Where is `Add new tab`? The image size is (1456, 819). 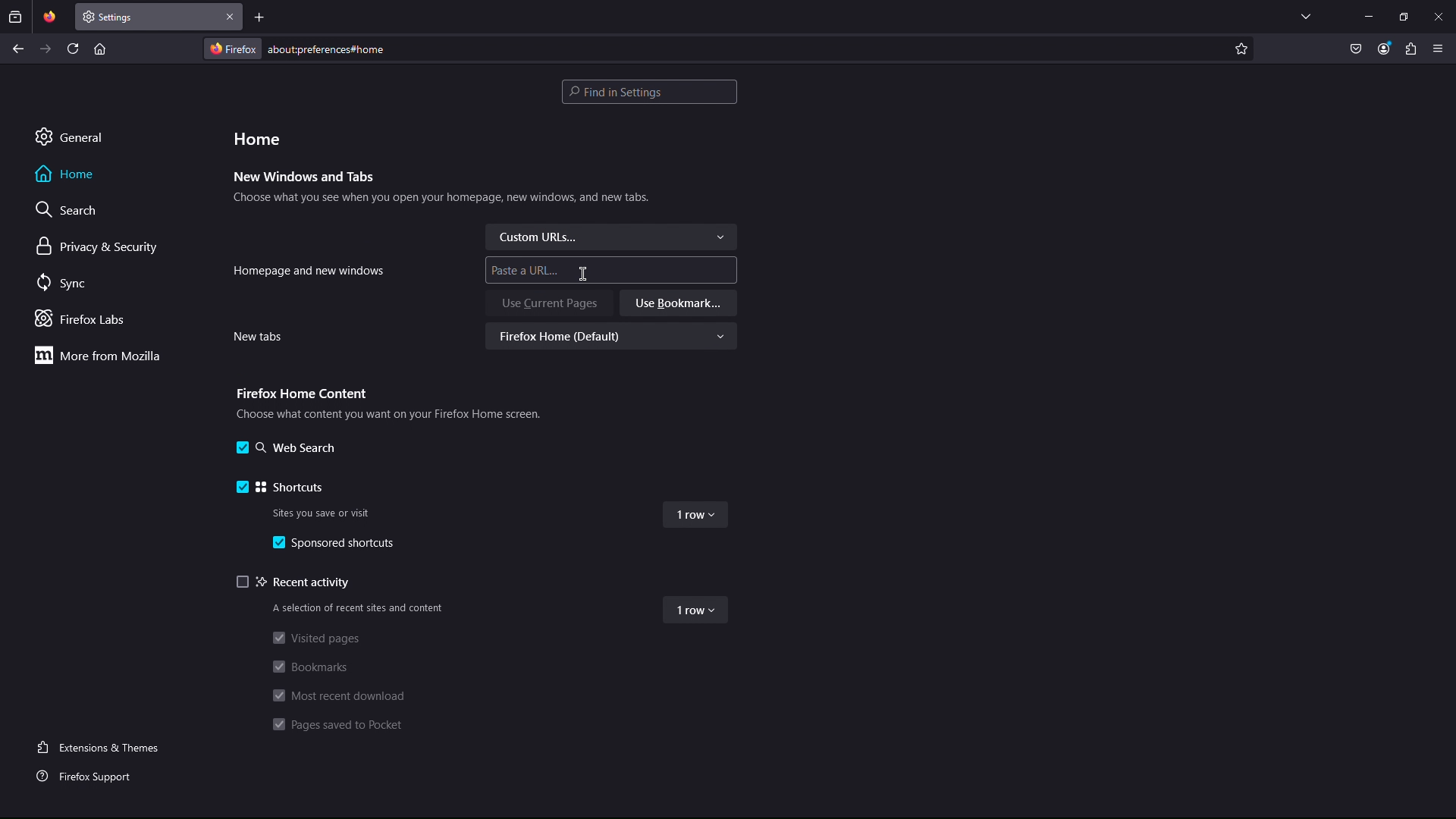 Add new tab is located at coordinates (260, 17).